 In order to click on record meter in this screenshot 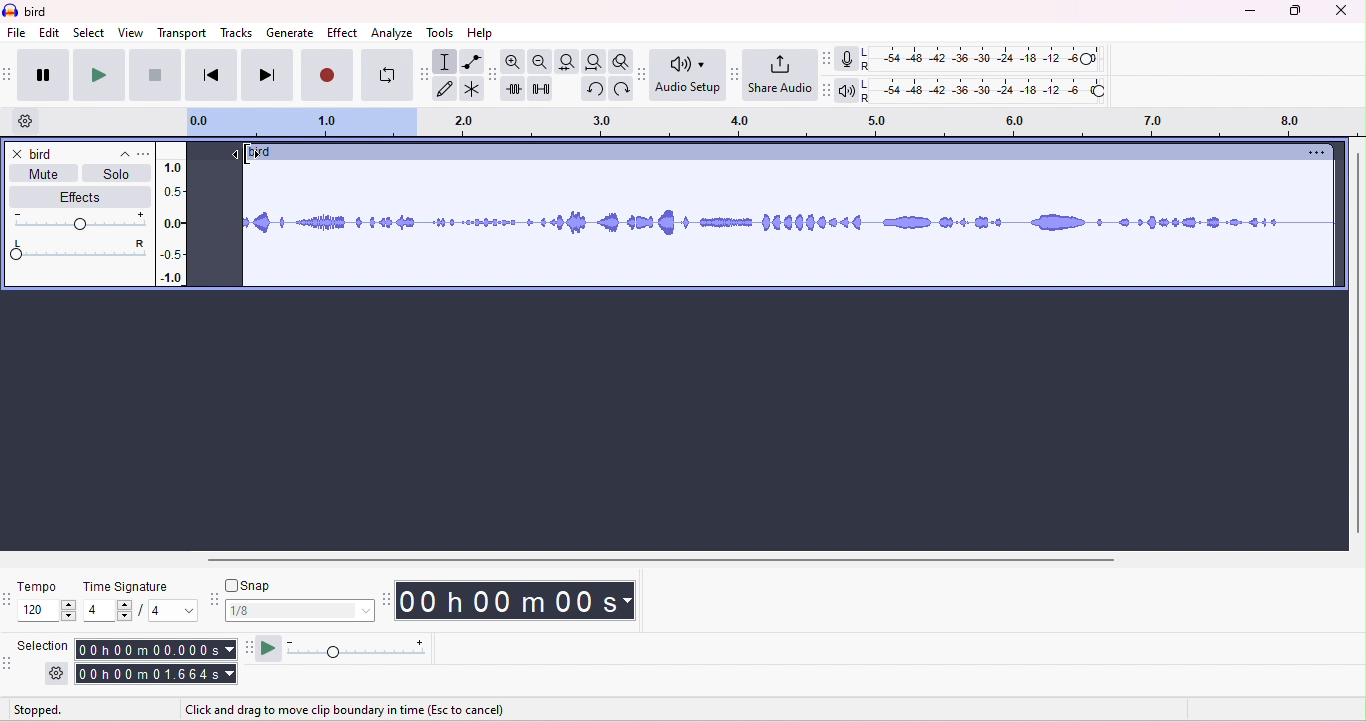, I will do `click(845, 59)`.